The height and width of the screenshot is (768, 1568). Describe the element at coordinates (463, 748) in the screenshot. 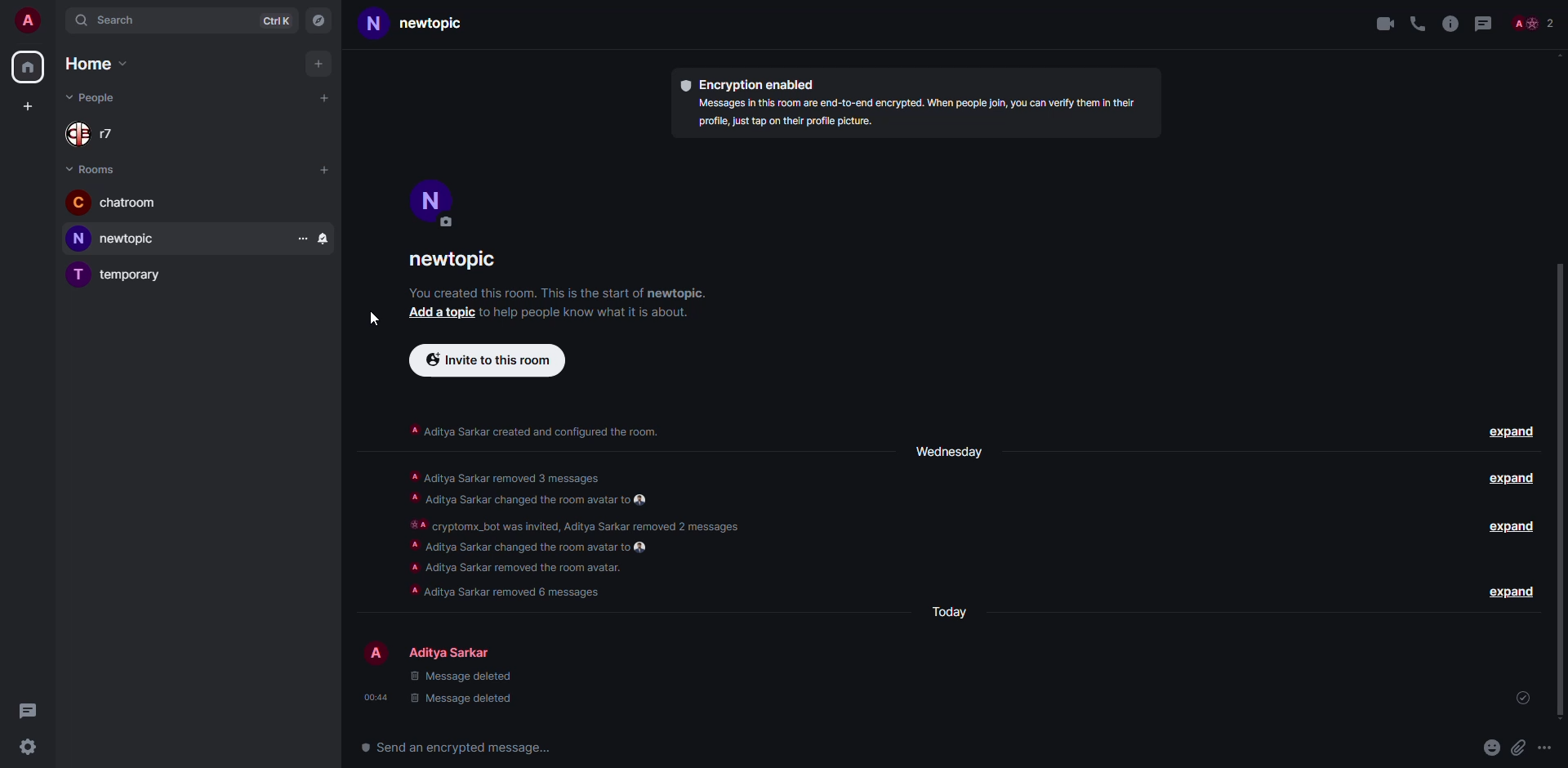

I see `send an encrypted message` at that location.